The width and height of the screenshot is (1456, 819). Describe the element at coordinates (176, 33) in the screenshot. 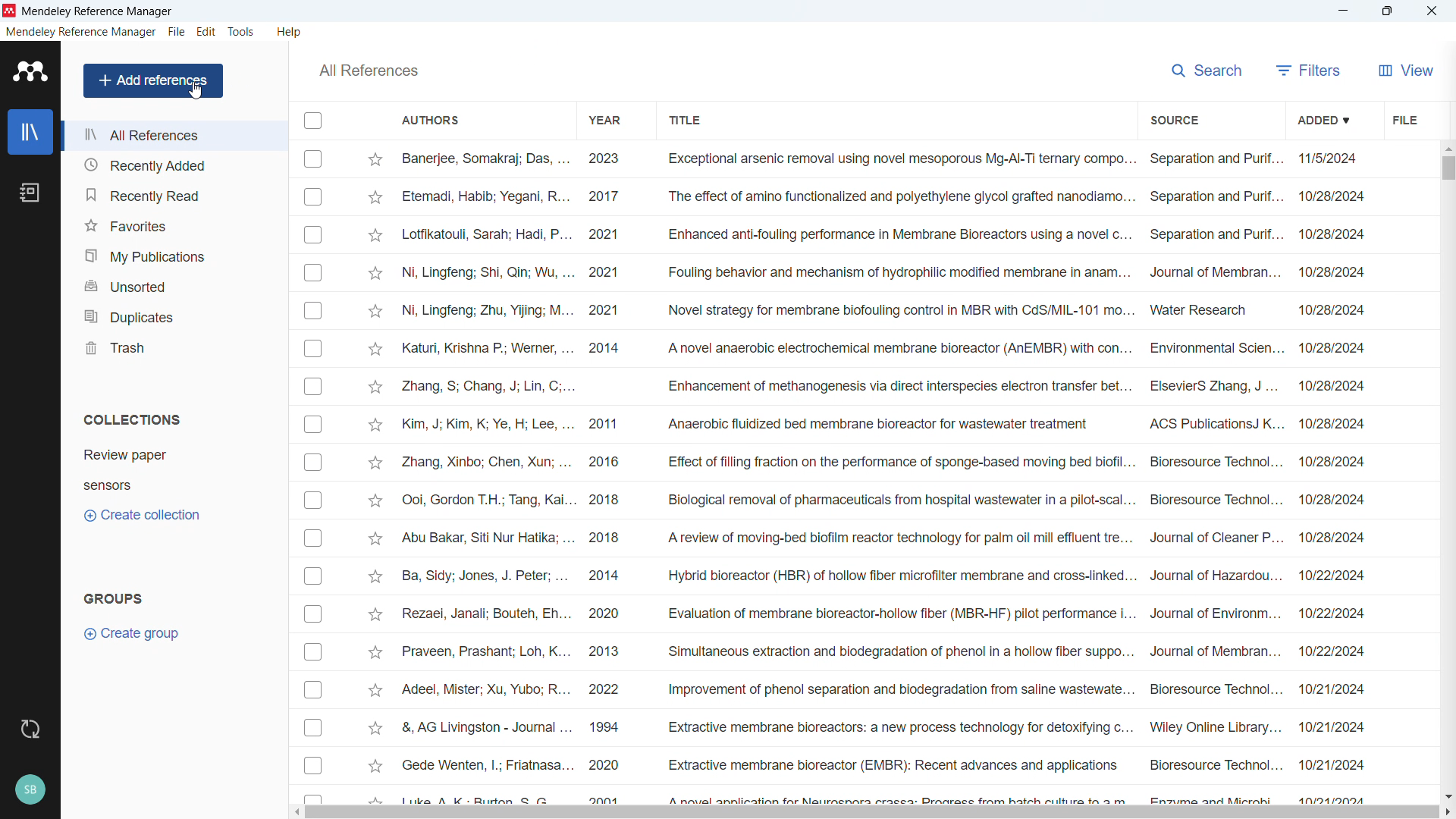

I see `file ` at that location.